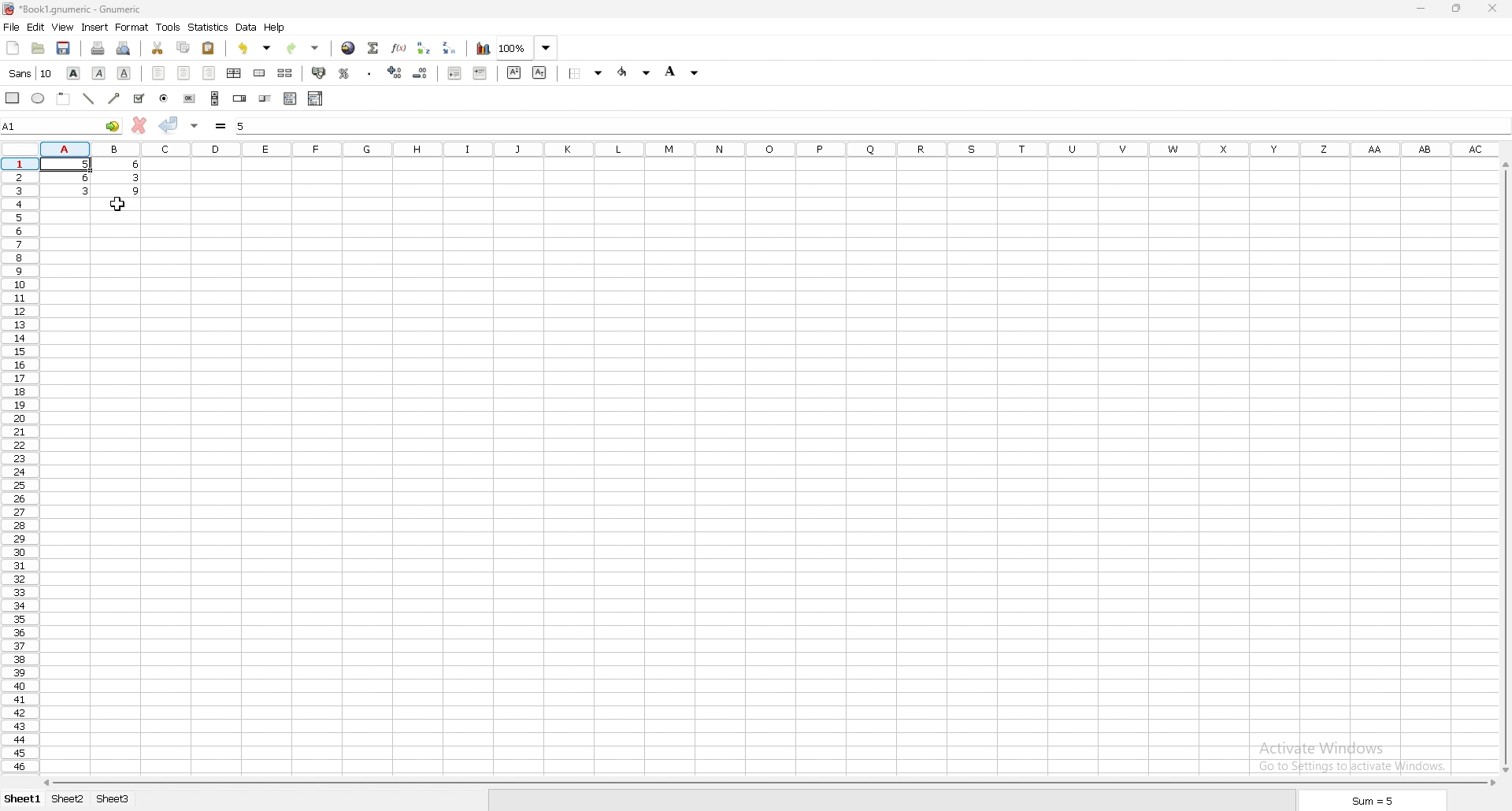  I want to click on merged cell, so click(259, 73).